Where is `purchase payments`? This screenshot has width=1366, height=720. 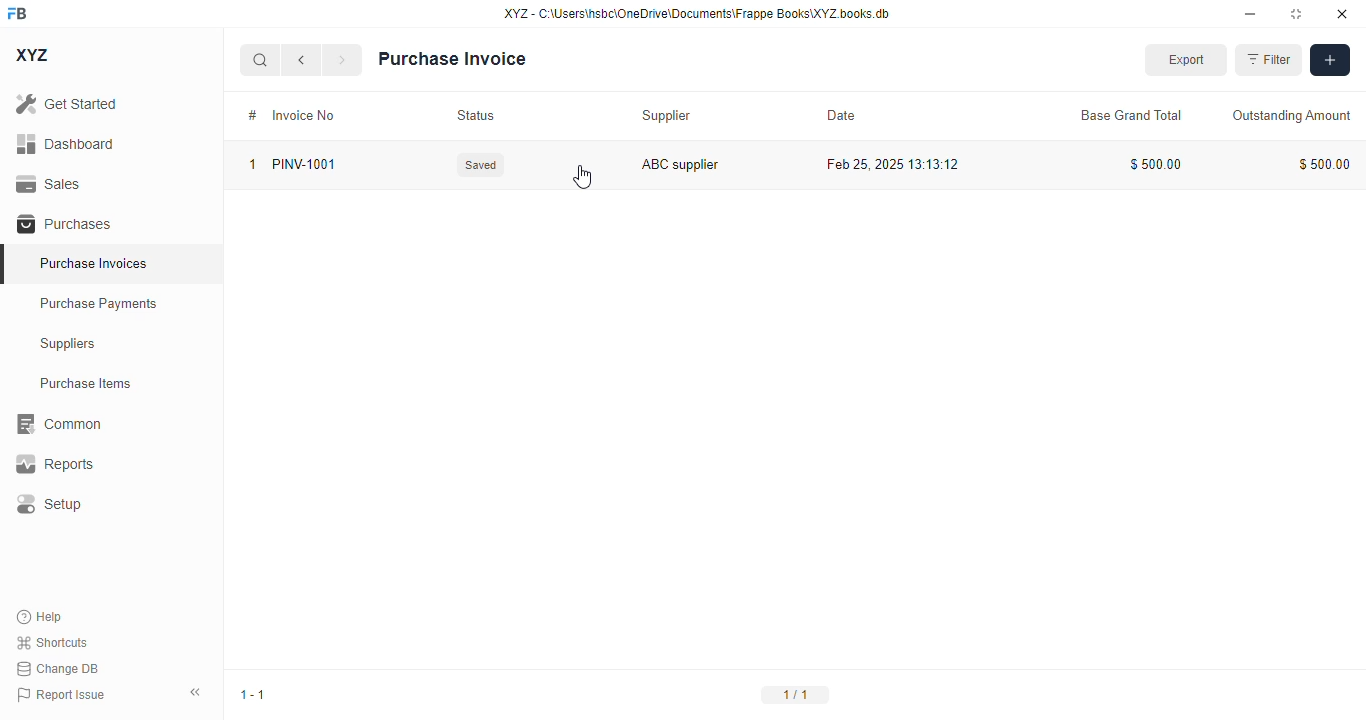 purchase payments is located at coordinates (99, 303).